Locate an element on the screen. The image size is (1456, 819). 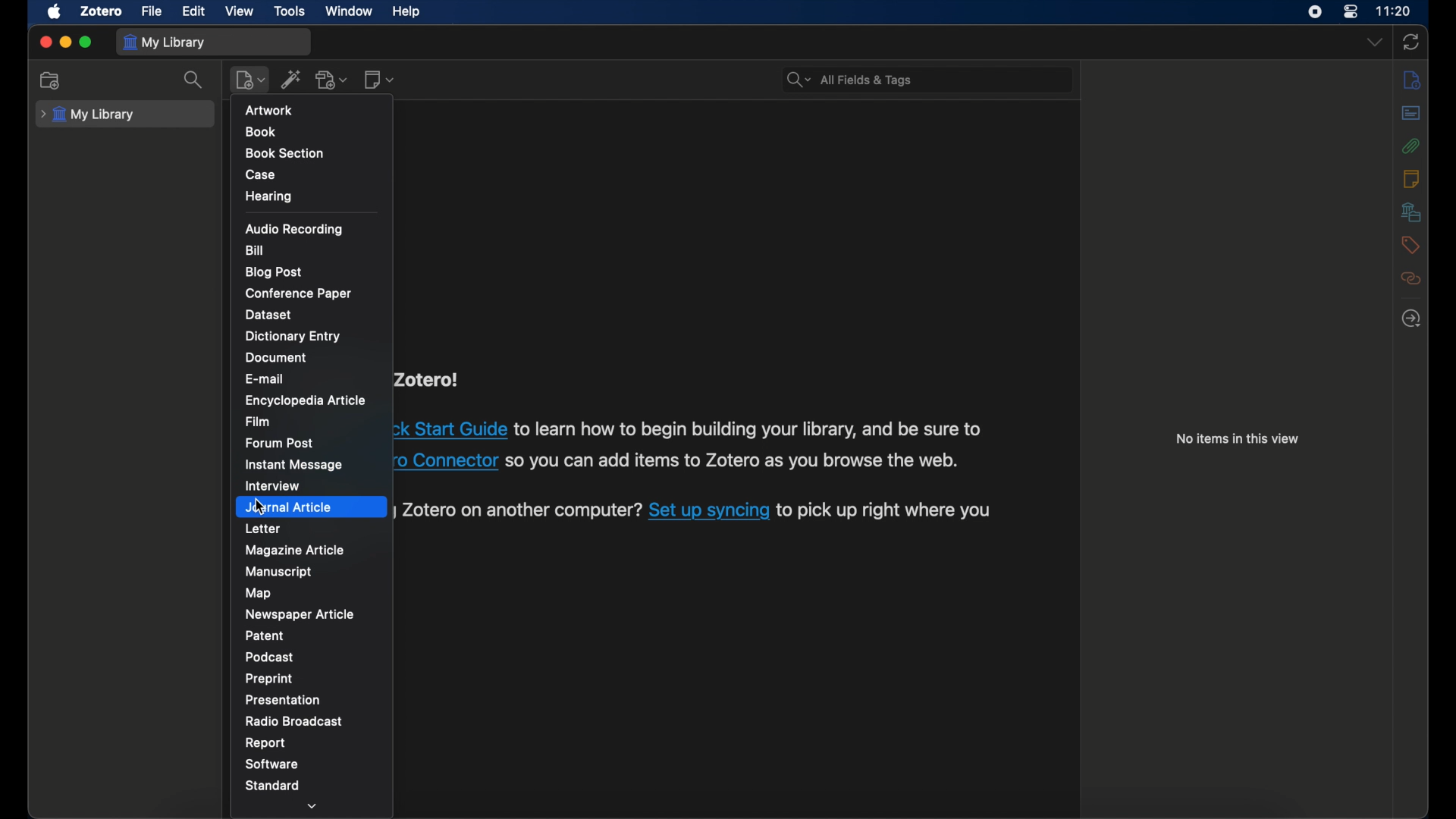
dropdown is located at coordinates (1375, 41).